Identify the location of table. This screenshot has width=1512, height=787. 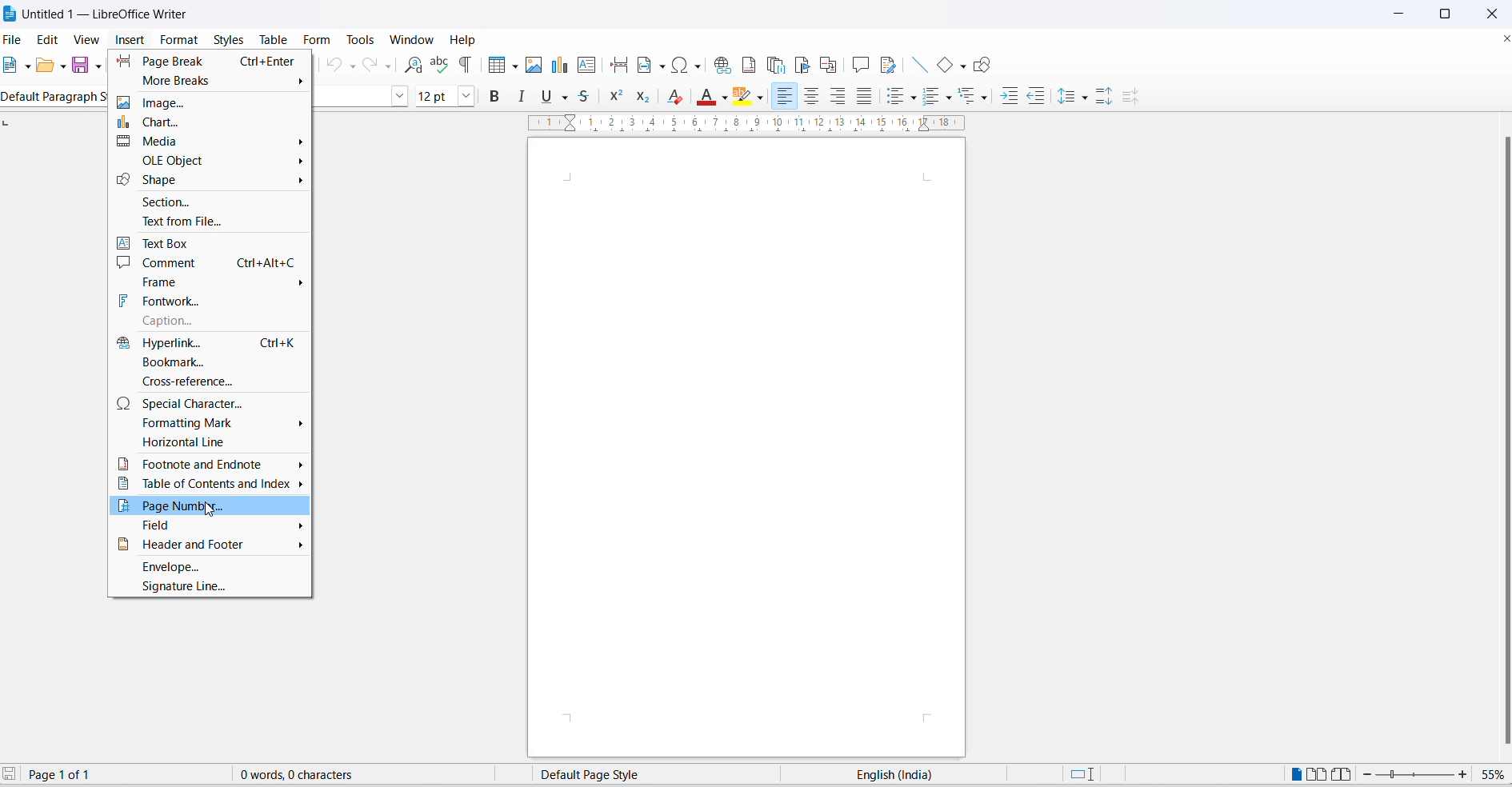
(273, 38).